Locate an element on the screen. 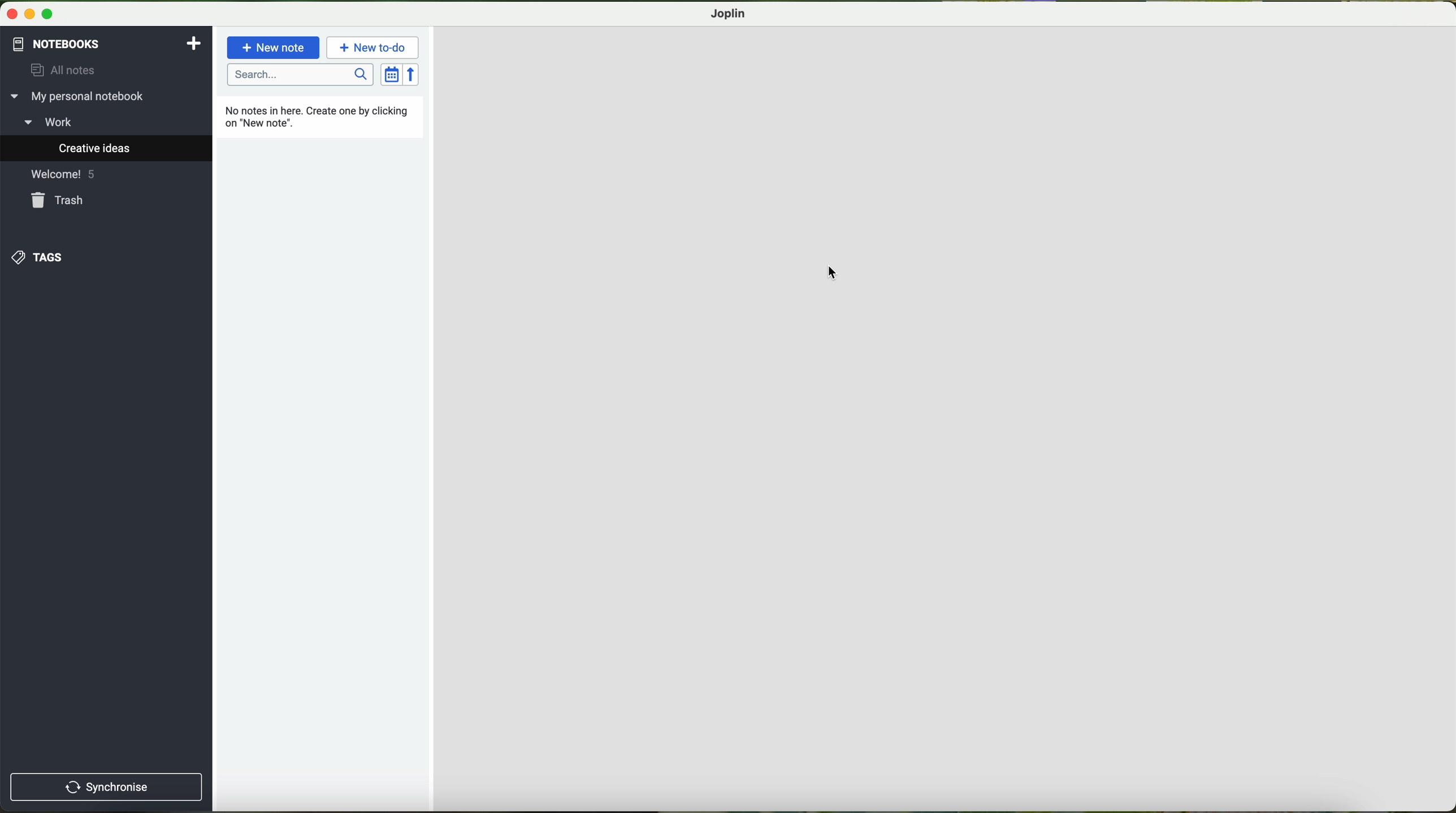 Image resolution: width=1456 pixels, height=813 pixels. new to-do button is located at coordinates (374, 47).